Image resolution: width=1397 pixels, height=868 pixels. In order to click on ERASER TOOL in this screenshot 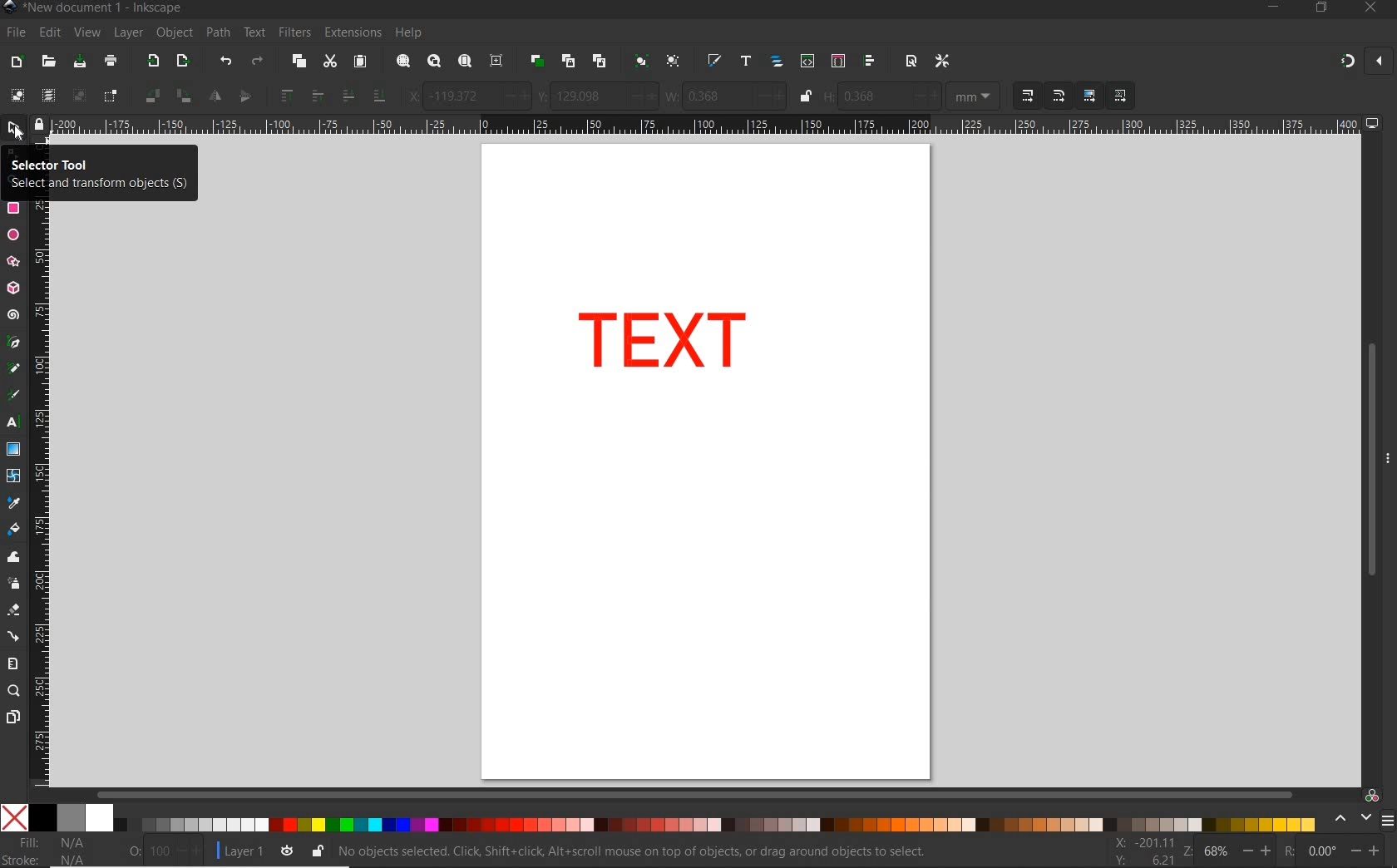, I will do `click(15, 610)`.